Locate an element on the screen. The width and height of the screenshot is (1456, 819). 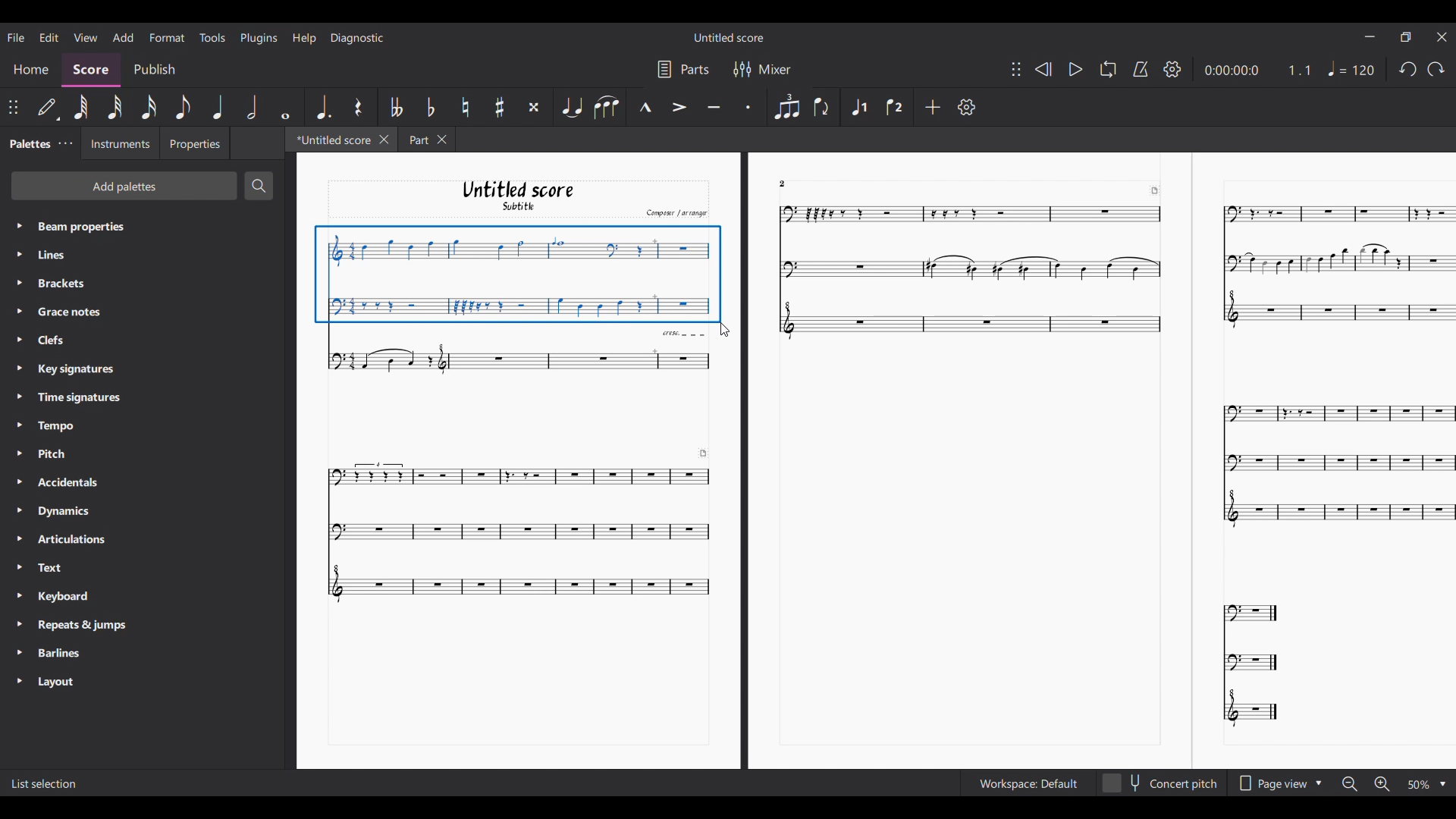
 is located at coordinates (16, 225).